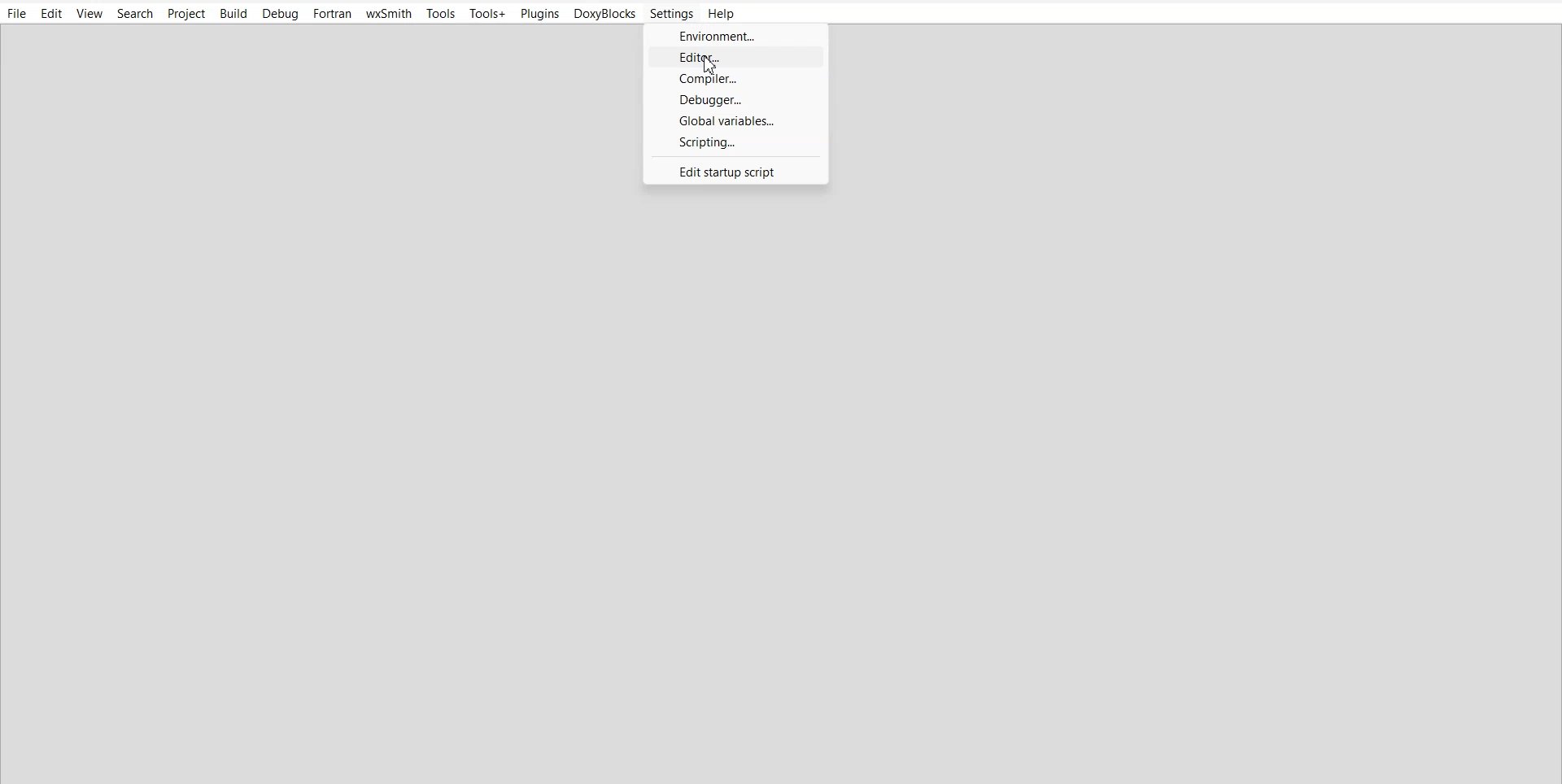 The height and width of the screenshot is (784, 1562). Describe the element at coordinates (441, 13) in the screenshot. I see `Tools` at that location.